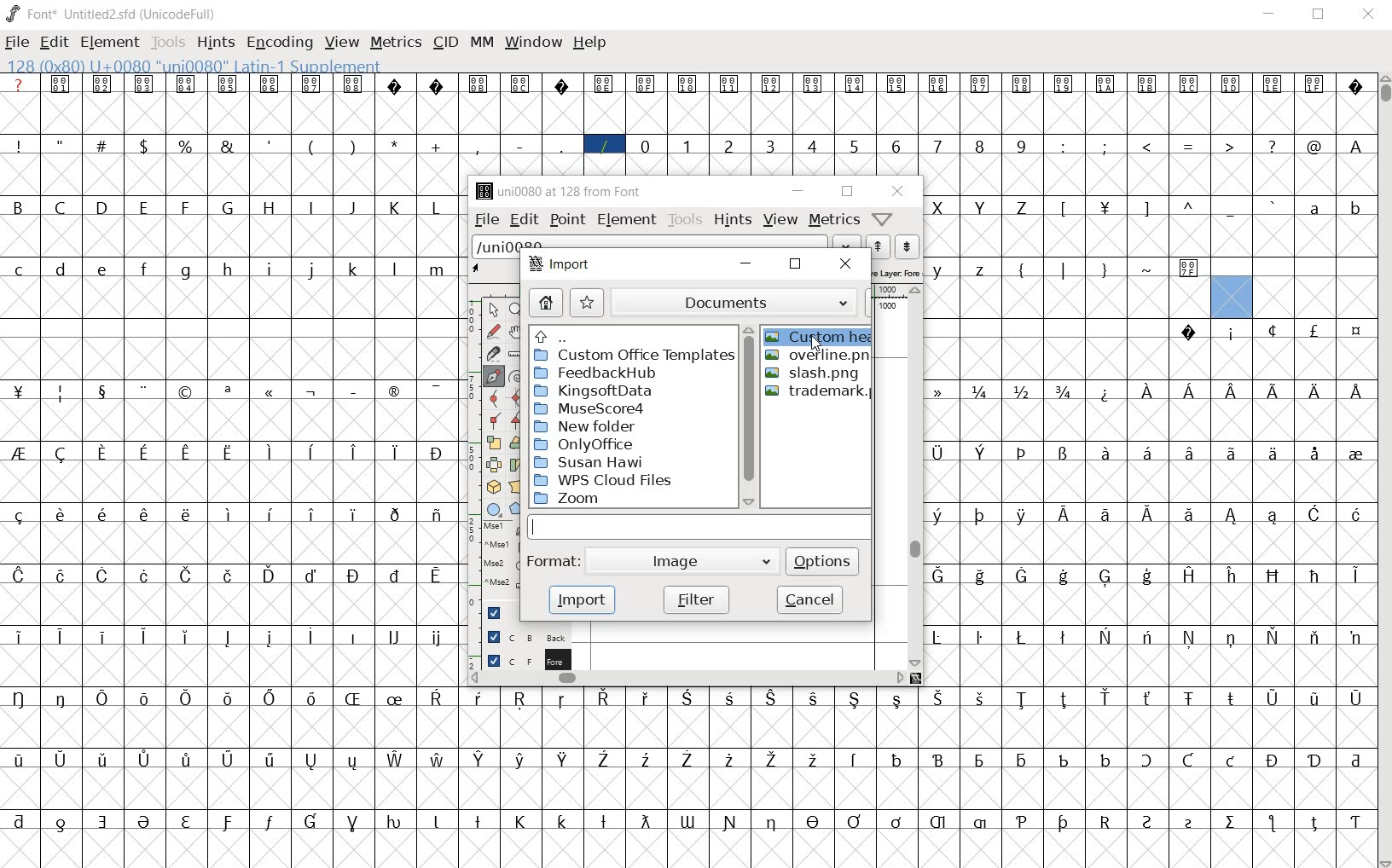 The width and height of the screenshot is (1392, 868). I want to click on glyph, so click(61, 454).